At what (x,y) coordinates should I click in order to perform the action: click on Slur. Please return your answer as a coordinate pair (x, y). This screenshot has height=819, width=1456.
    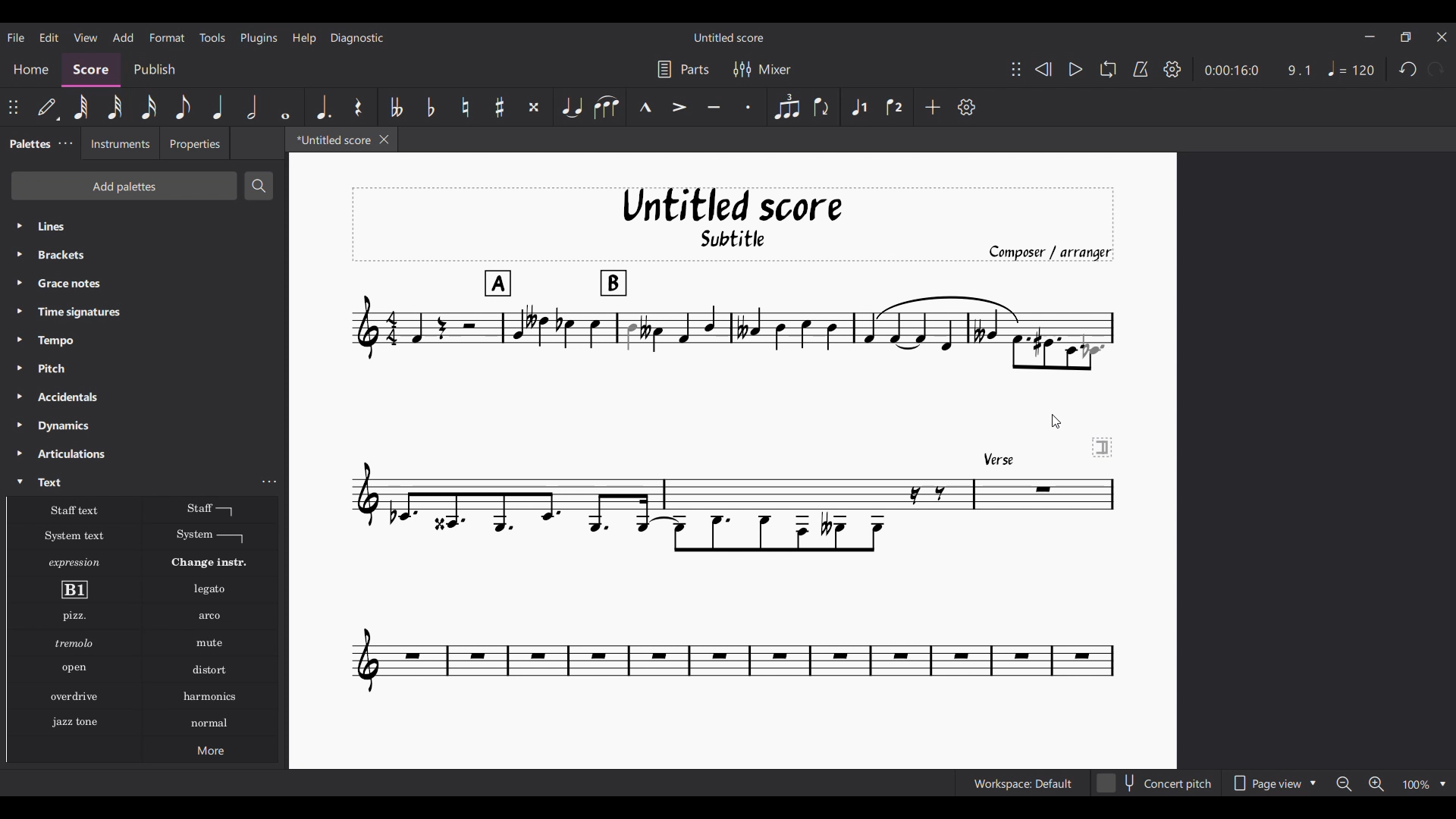
    Looking at the image, I should click on (607, 107).